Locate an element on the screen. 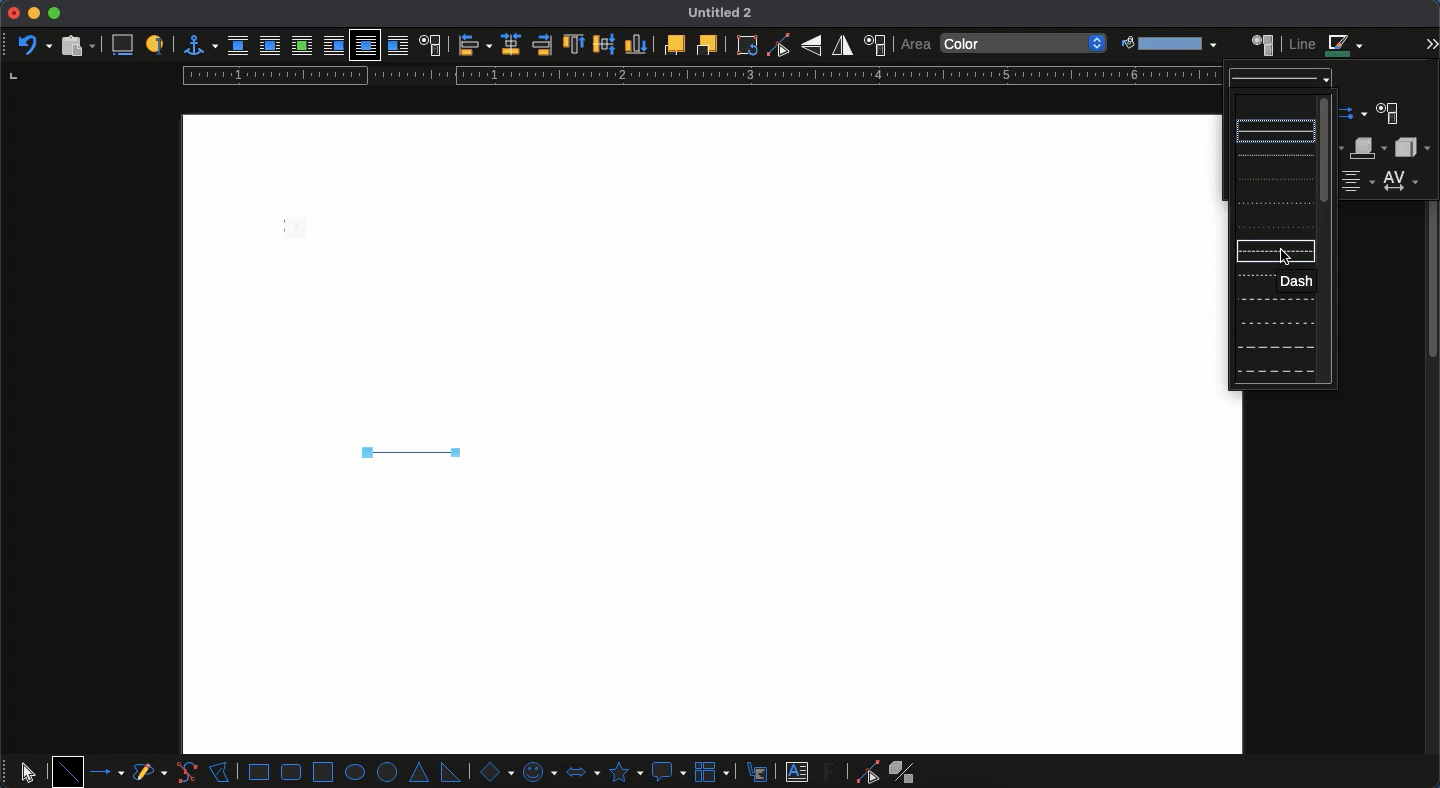 Image resolution: width=1440 pixels, height=788 pixels. optimal is located at coordinates (301, 45).